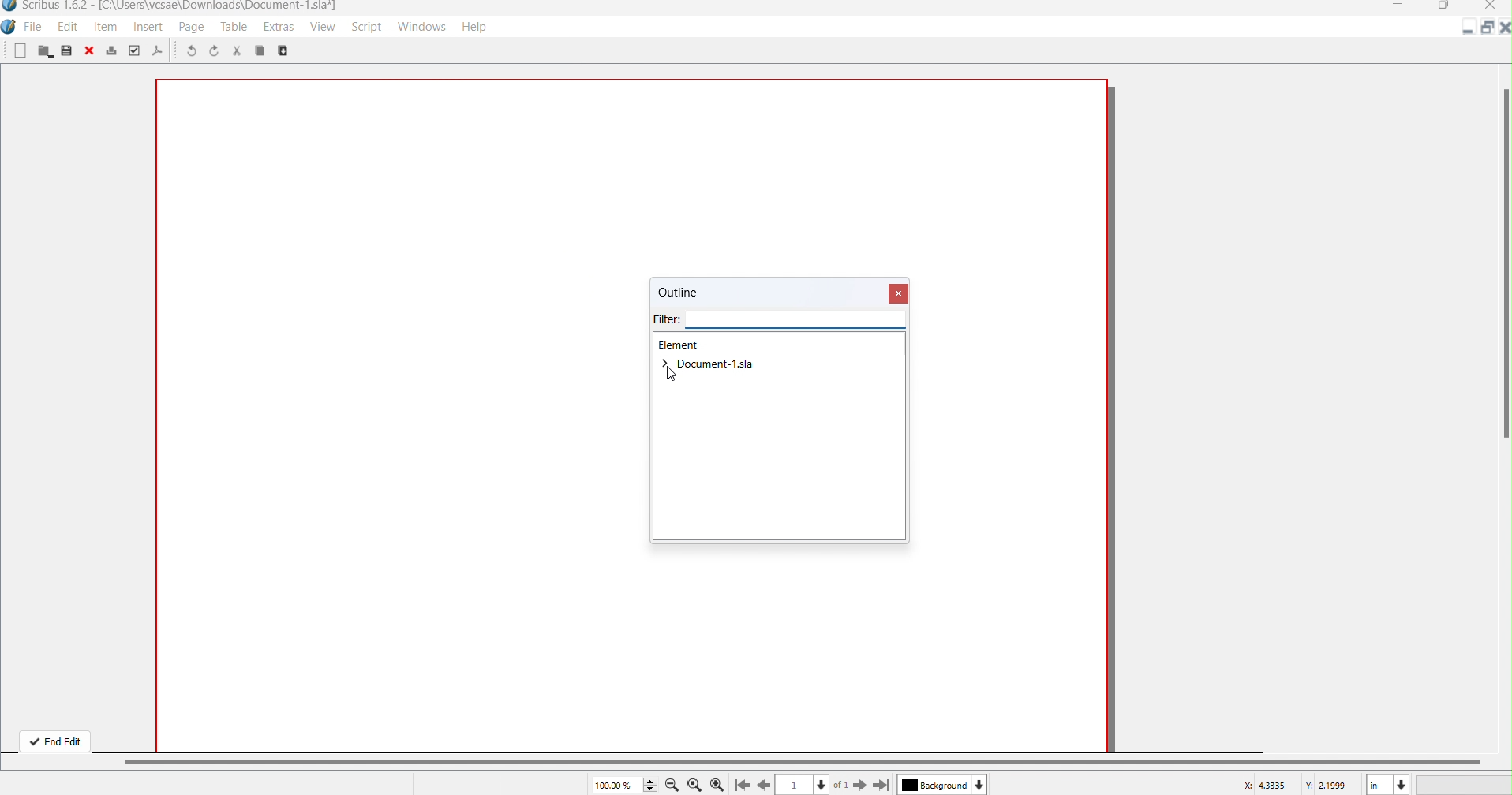 This screenshot has width=1512, height=795. What do you see at coordinates (240, 50) in the screenshot?
I see `` at bounding box center [240, 50].